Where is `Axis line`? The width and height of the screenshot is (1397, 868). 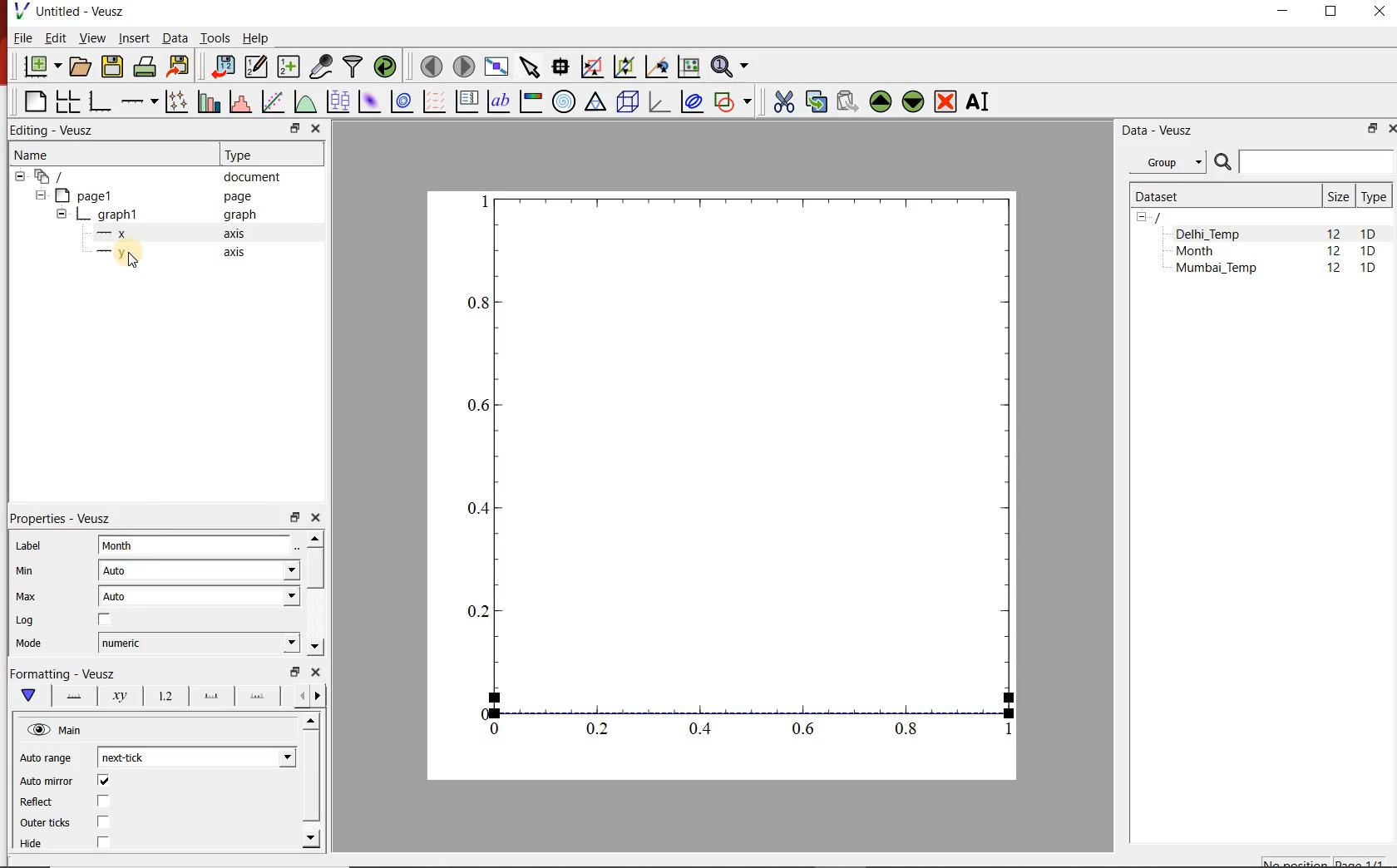
Axis line is located at coordinates (72, 696).